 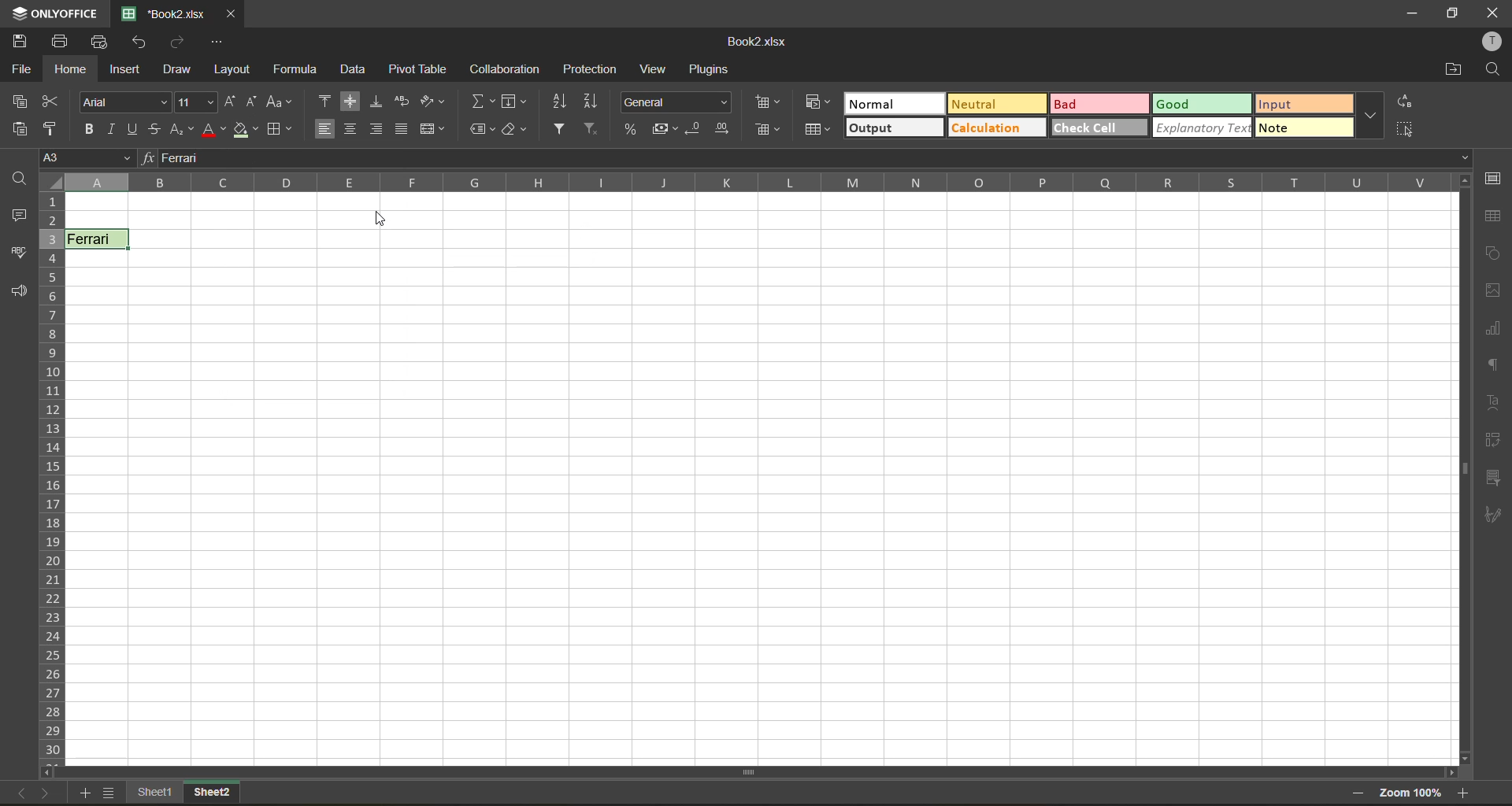 What do you see at coordinates (1462, 469) in the screenshot?
I see `Vertical Scrollbar` at bounding box center [1462, 469].